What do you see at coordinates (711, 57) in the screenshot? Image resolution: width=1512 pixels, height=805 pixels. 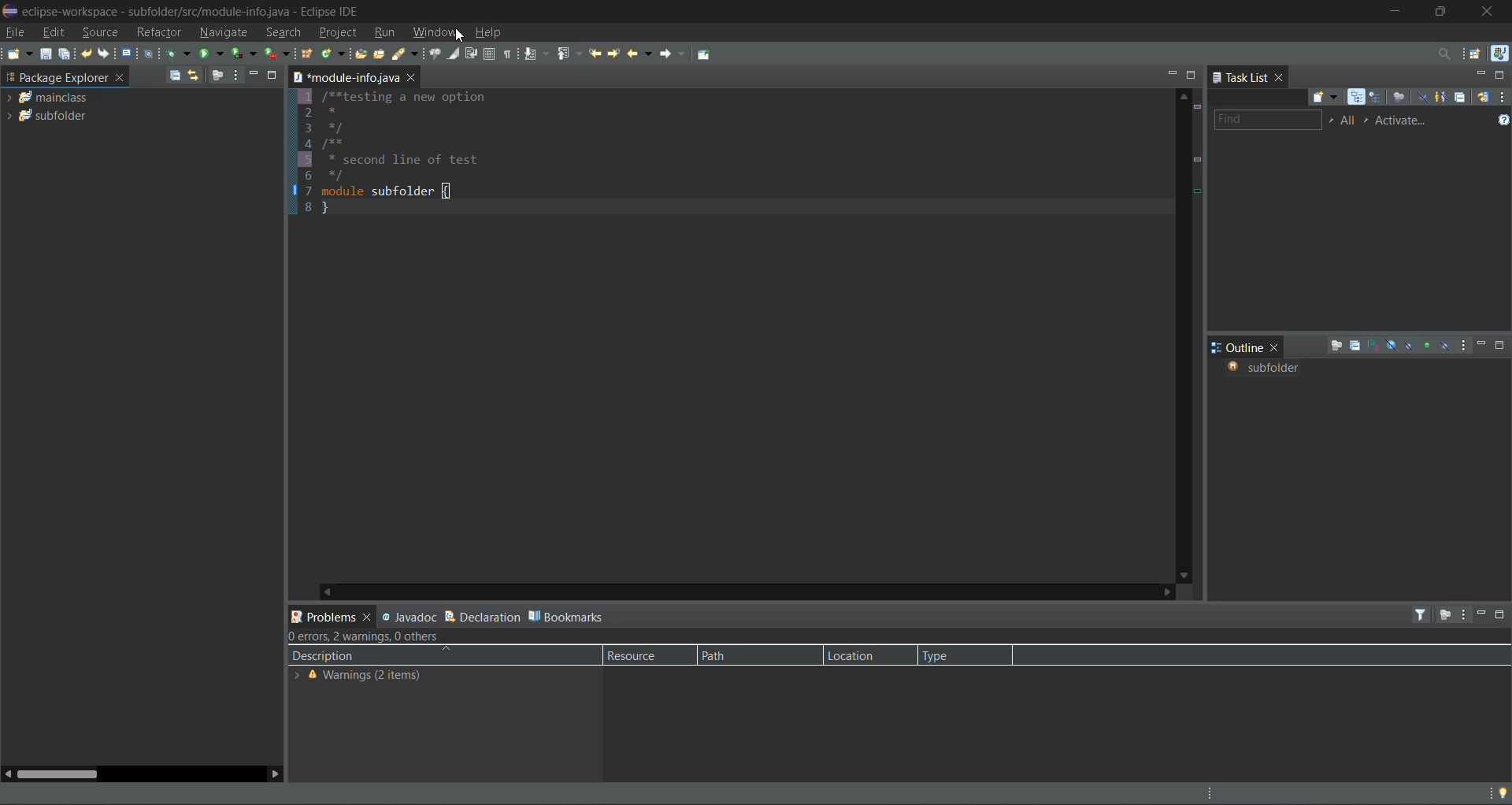 I see `pin editor` at bounding box center [711, 57].